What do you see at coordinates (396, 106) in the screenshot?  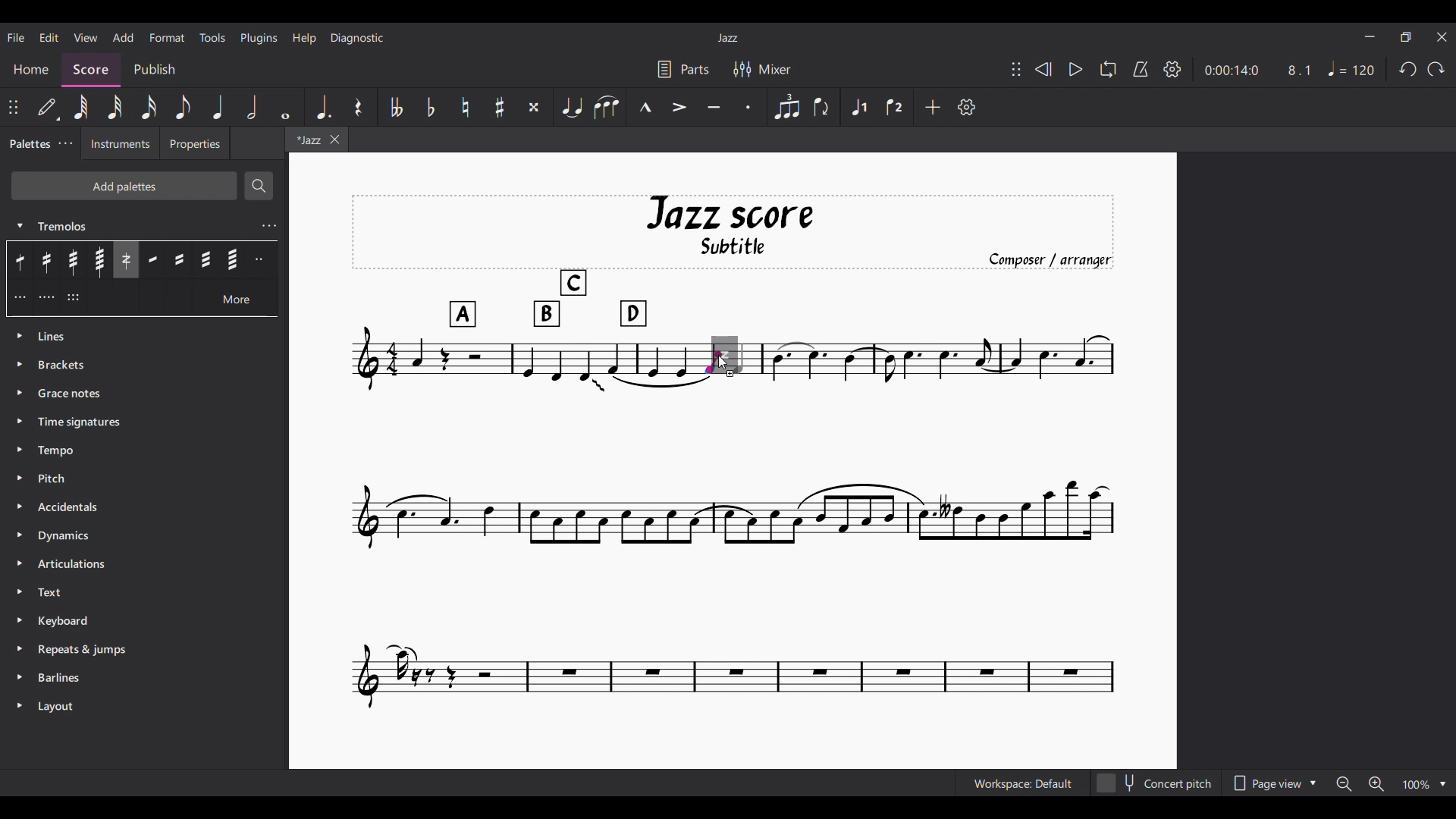 I see `Toggle double flat` at bounding box center [396, 106].